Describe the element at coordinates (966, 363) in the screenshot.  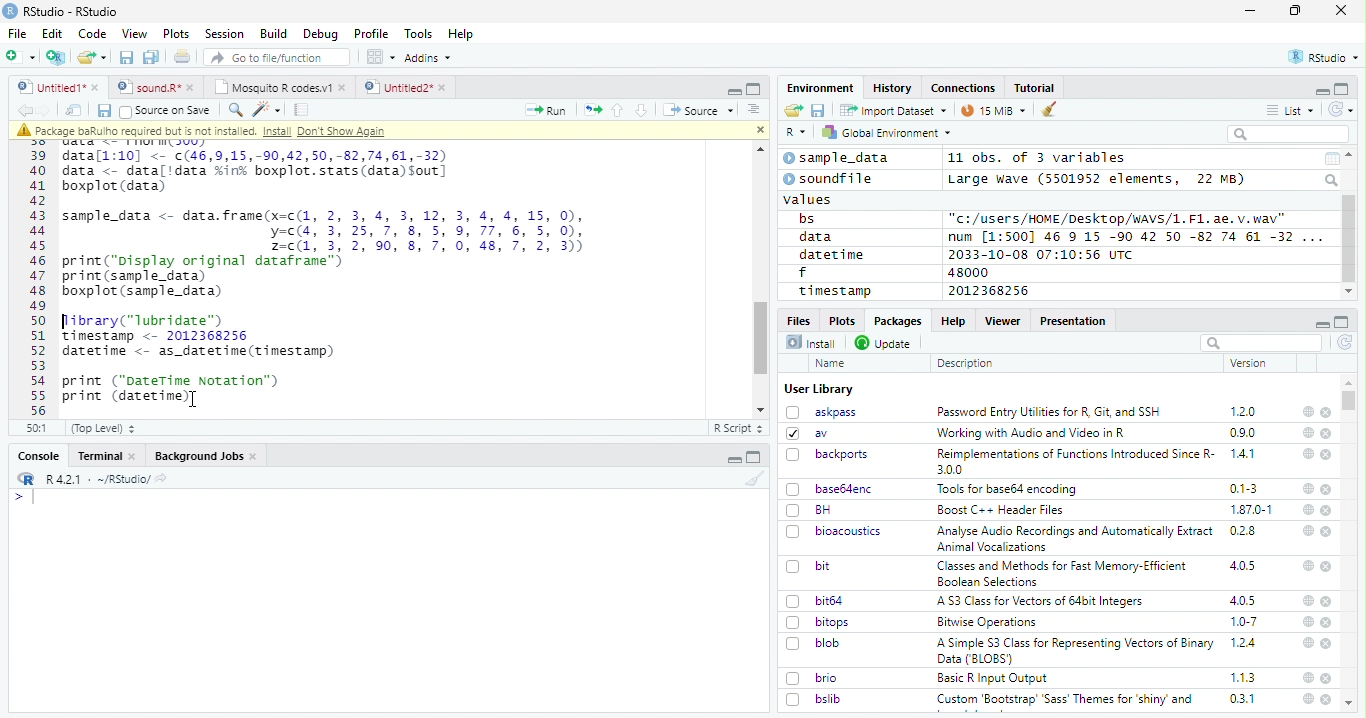
I see `Description` at that location.